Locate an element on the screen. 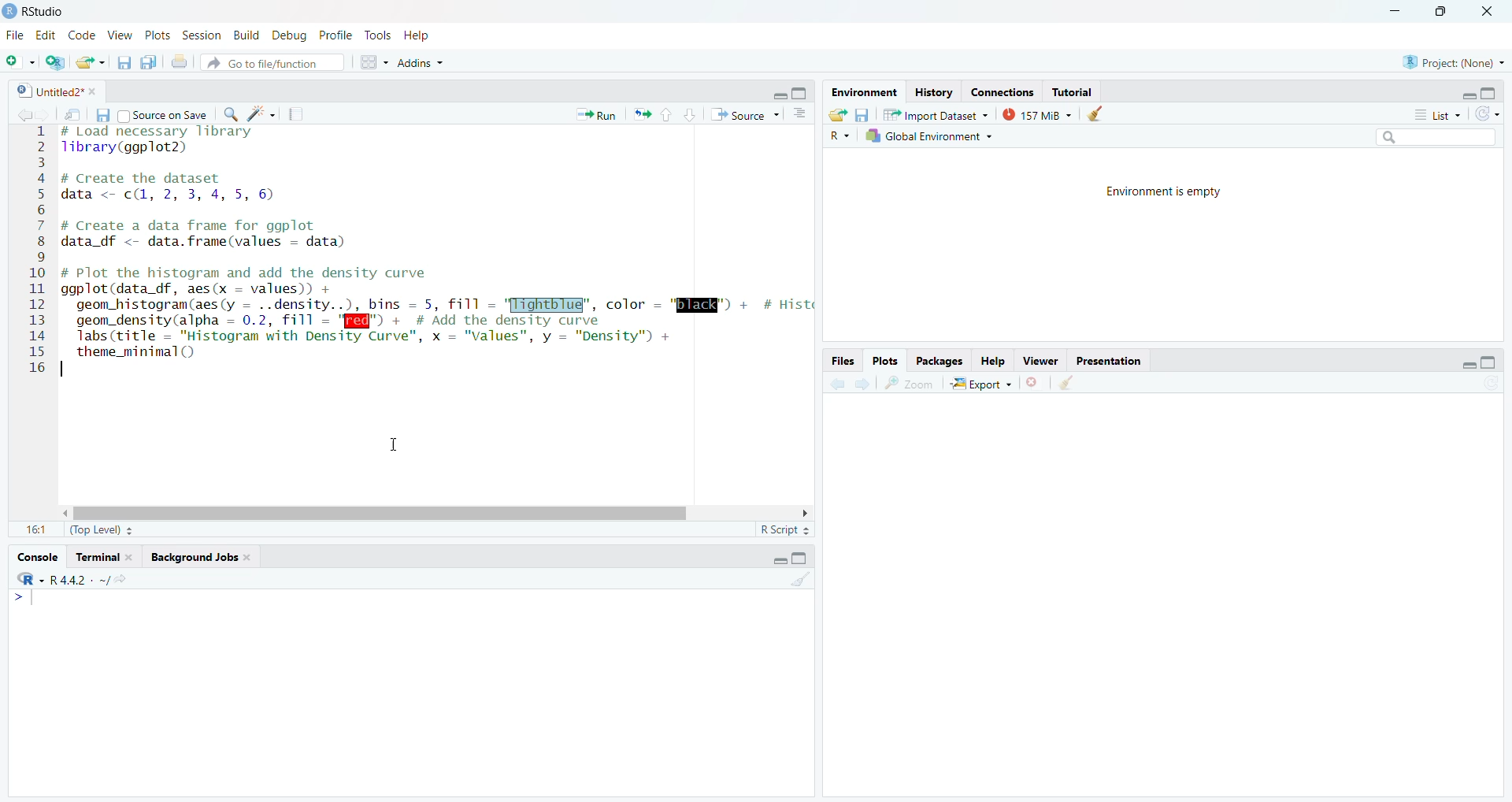  #Load necessary library is located at coordinates (160, 132).